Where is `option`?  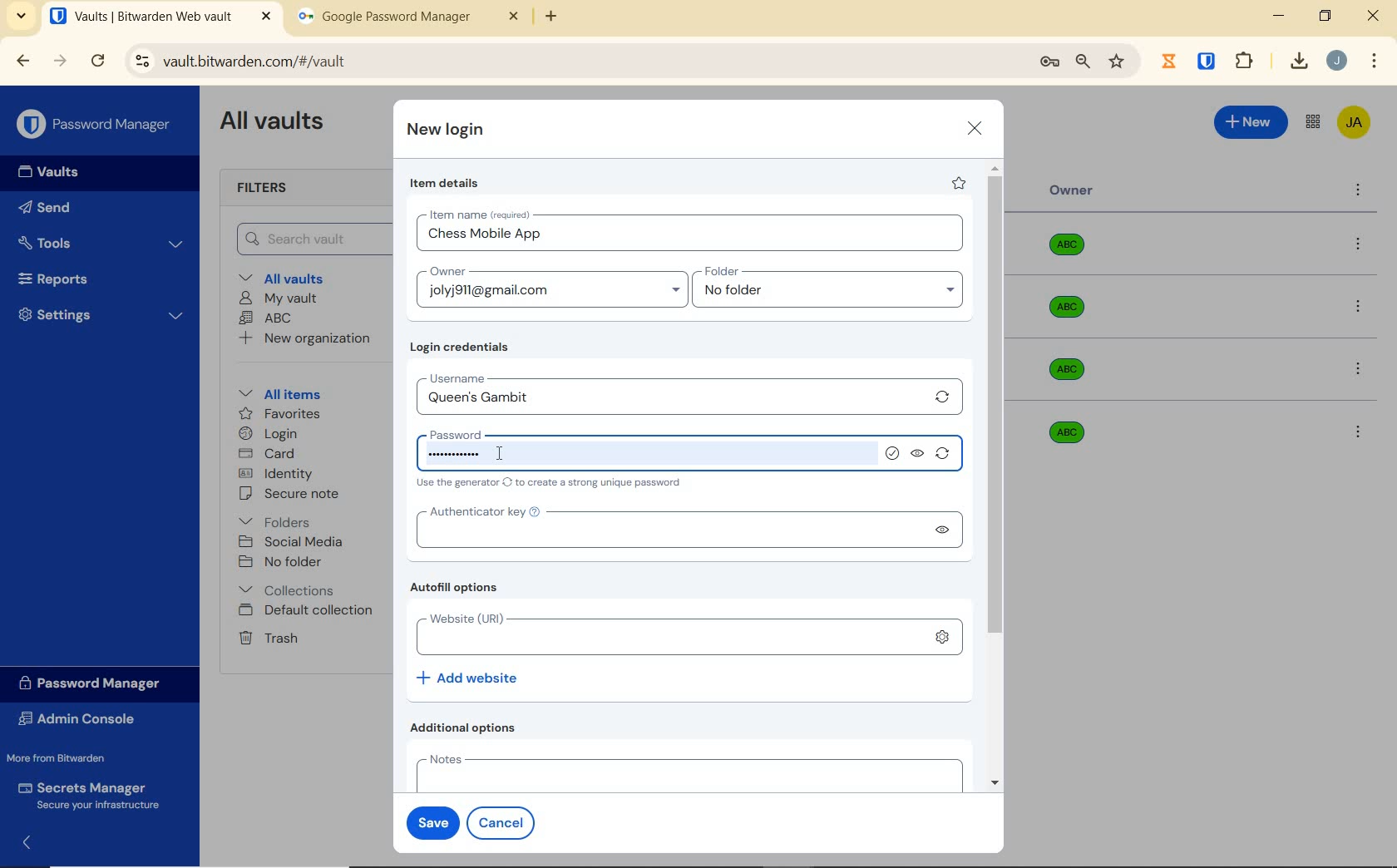 option is located at coordinates (1361, 371).